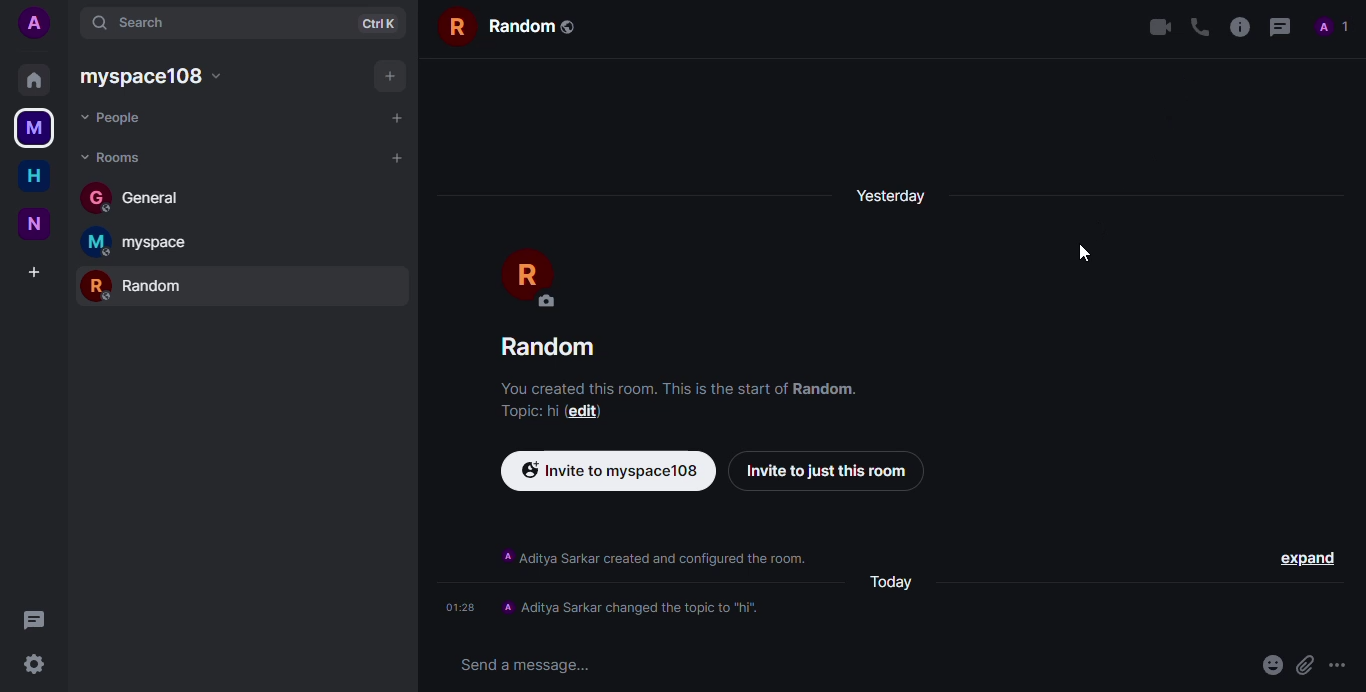 The image size is (1366, 692). Describe the element at coordinates (1302, 665) in the screenshot. I see `attach` at that location.